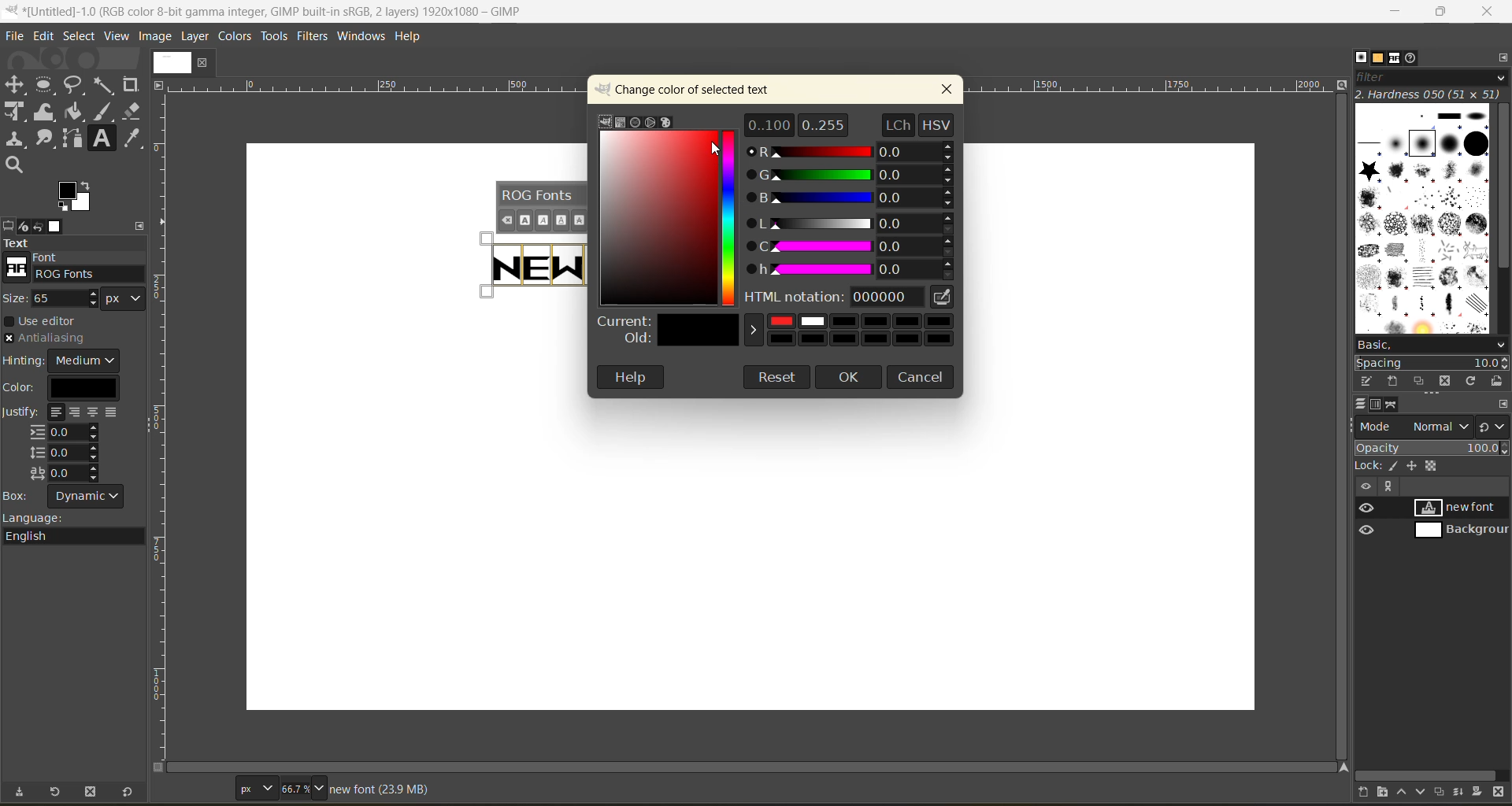 The height and width of the screenshot is (806, 1512). What do you see at coordinates (694, 89) in the screenshot?
I see `change color` at bounding box center [694, 89].